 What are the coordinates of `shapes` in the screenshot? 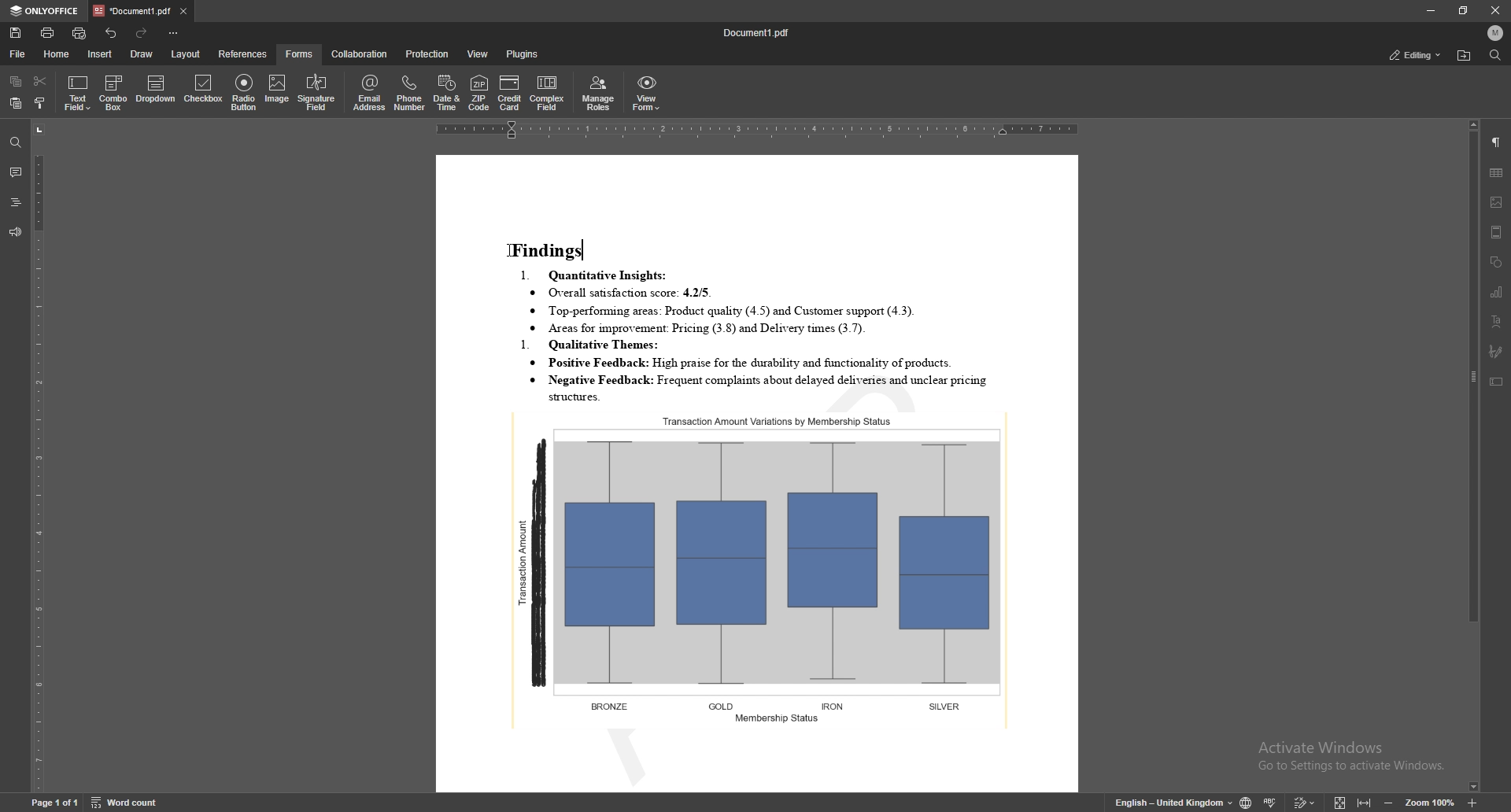 It's located at (1498, 263).